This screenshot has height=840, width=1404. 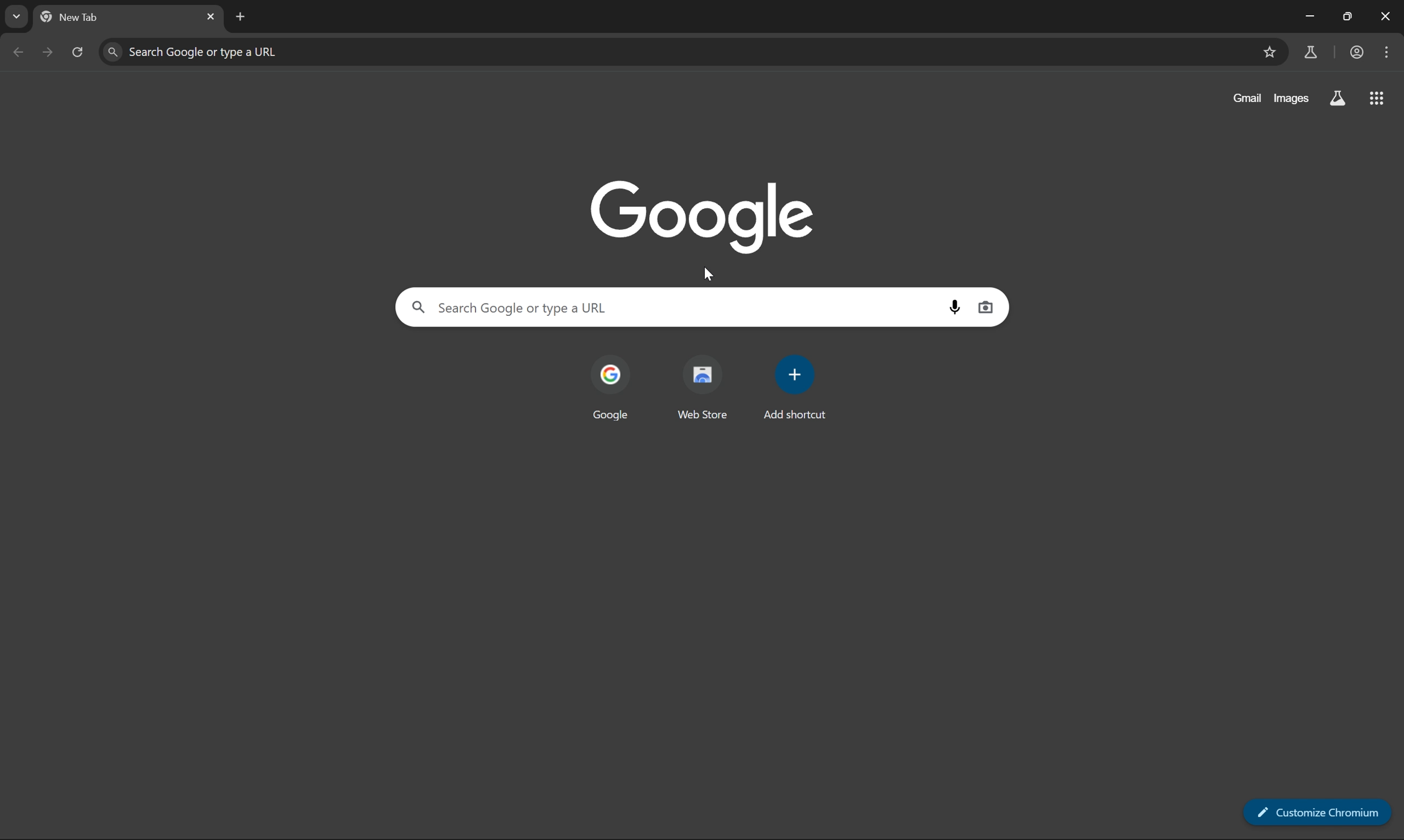 I want to click on drop down, so click(x=19, y=16).